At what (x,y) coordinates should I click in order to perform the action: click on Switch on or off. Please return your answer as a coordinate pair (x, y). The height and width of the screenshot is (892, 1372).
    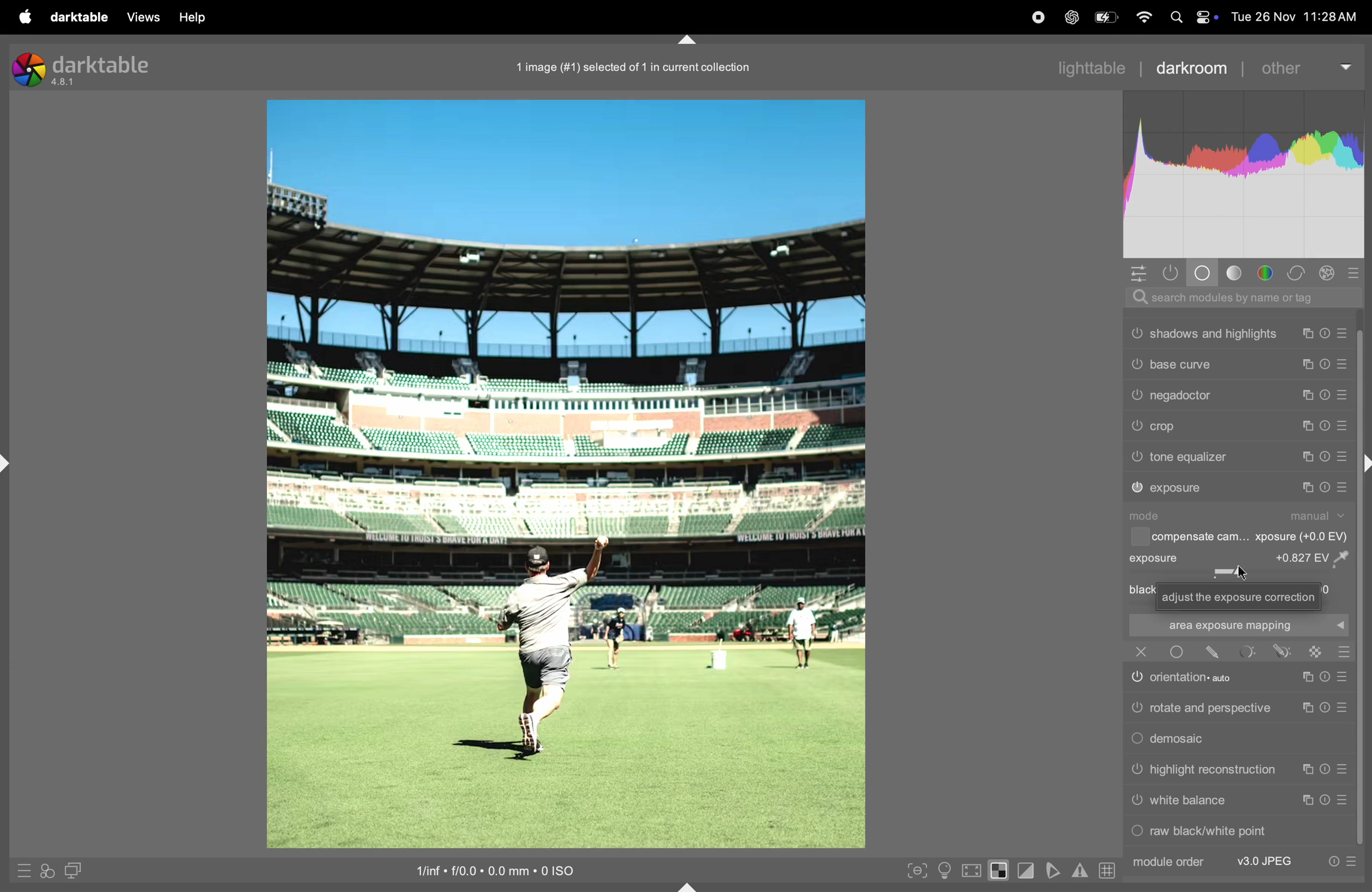
    Looking at the image, I should click on (1136, 803).